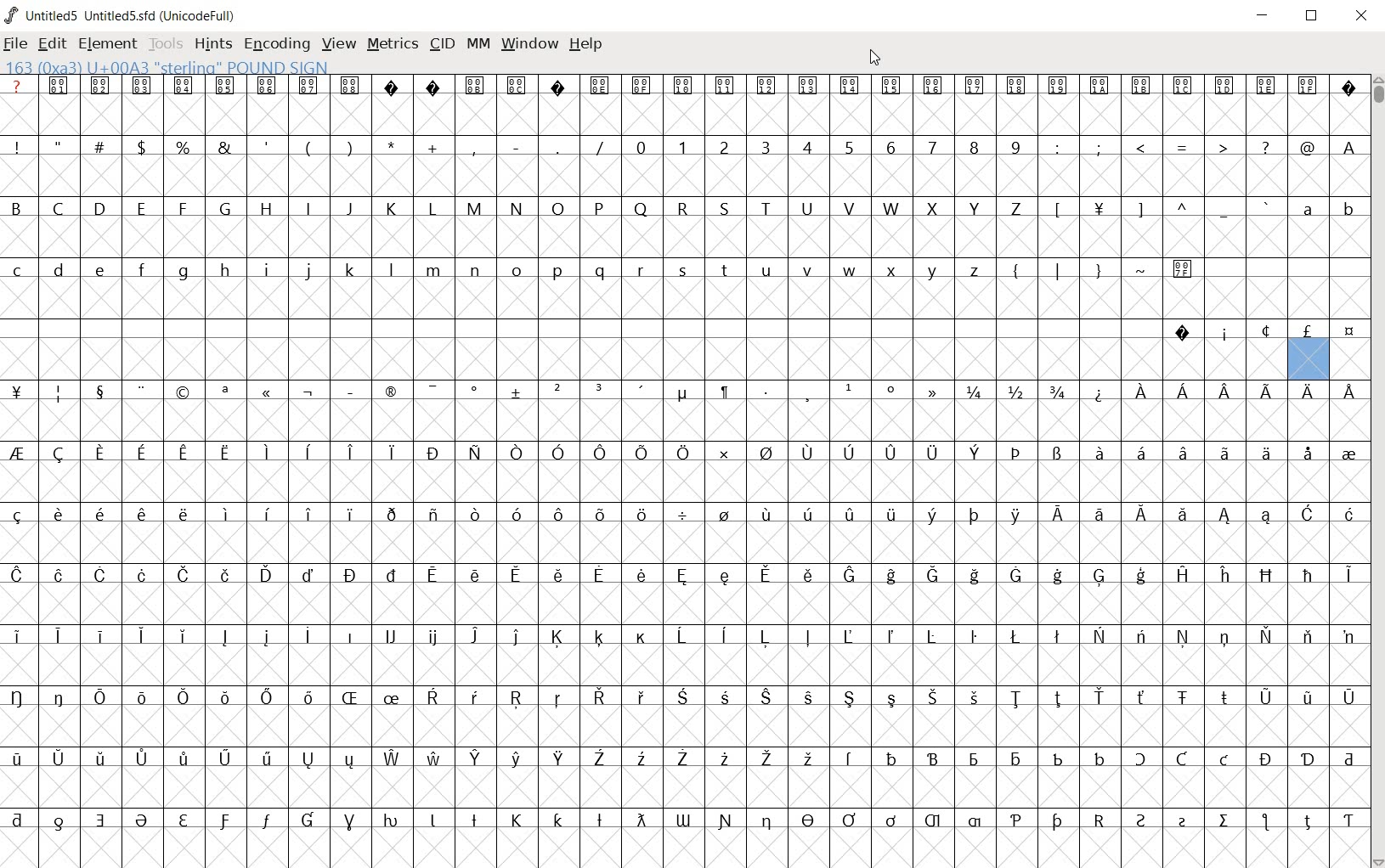 Image resolution: width=1385 pixels, height=868 pixels. What do you see at coordinates (517, 699) in the screenshot?
I see `Symbol` at bounding box center [517, 699].